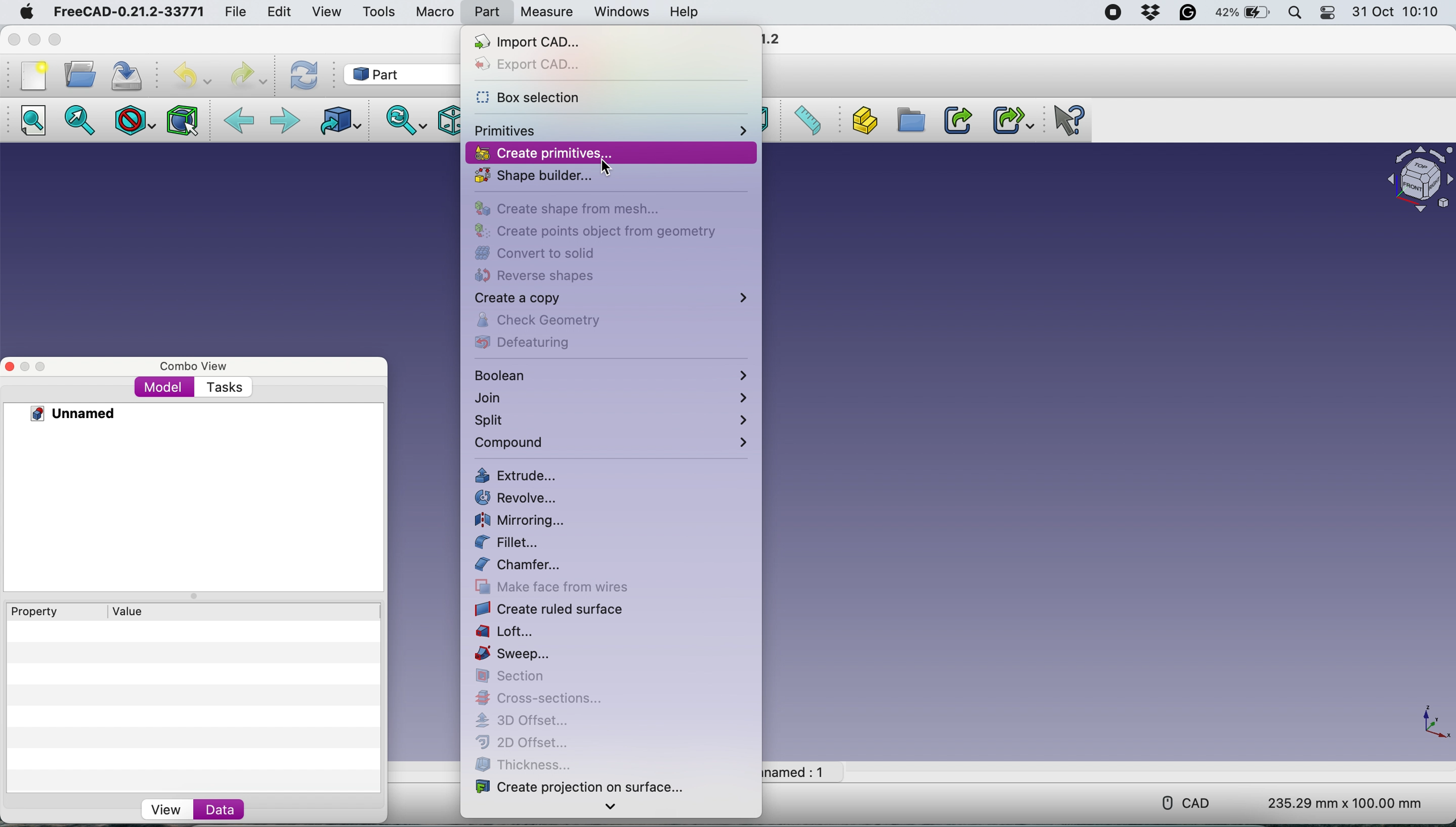  I want to click on fillet, so click(513, 542).